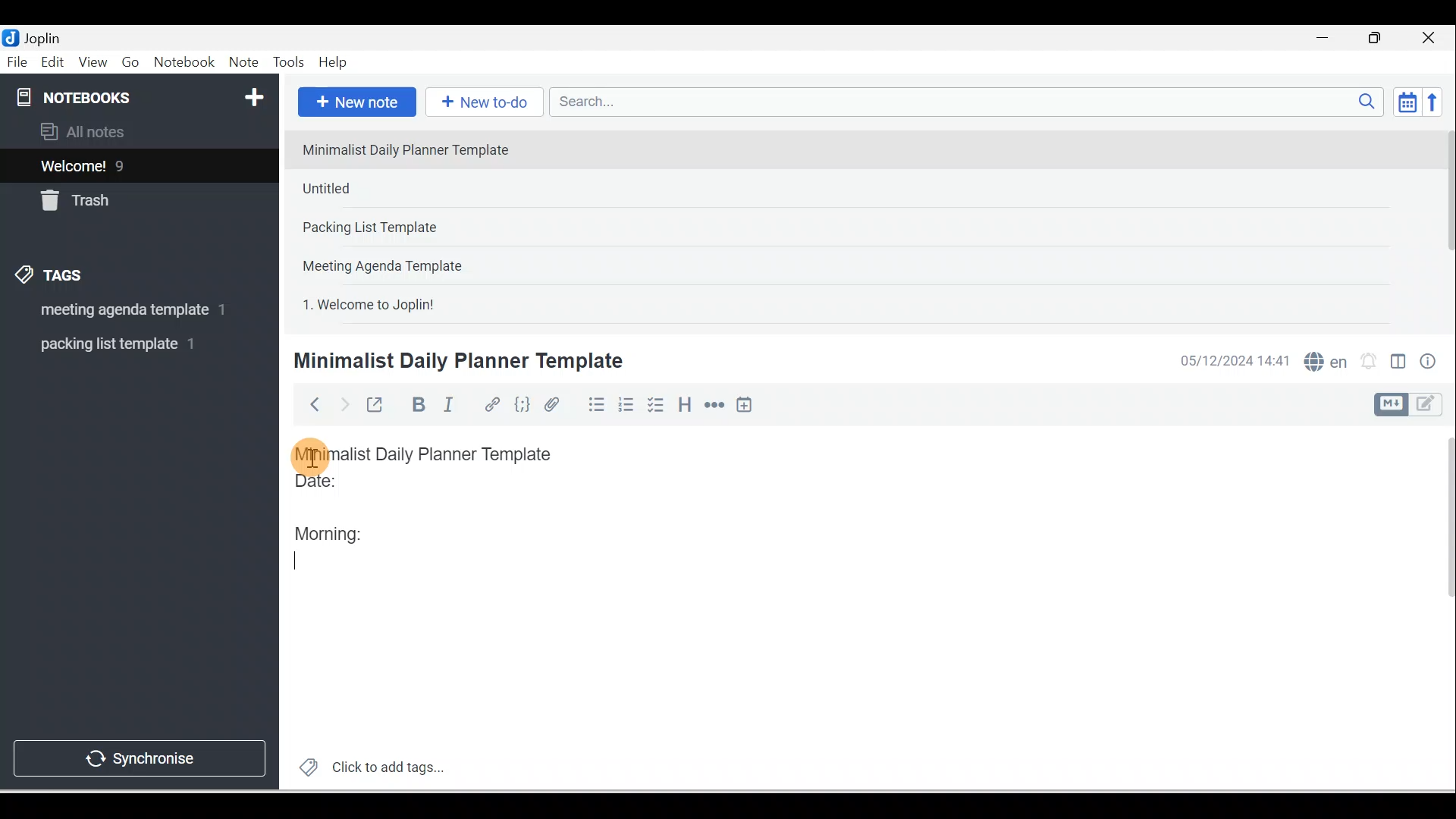  What do you see at coordinates (451, 407) in the screenshot?
I see `Italic` at bounding box center [451, 407].